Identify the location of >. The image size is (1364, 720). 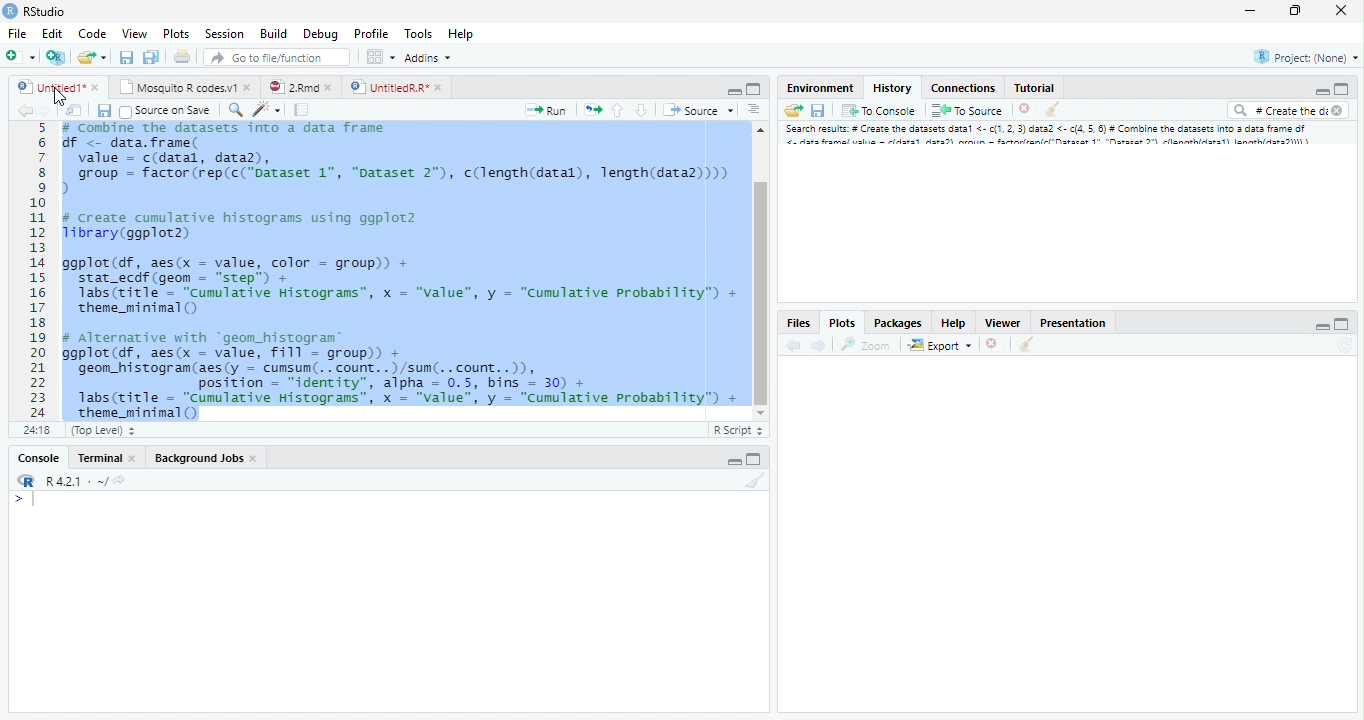
(15, 501).